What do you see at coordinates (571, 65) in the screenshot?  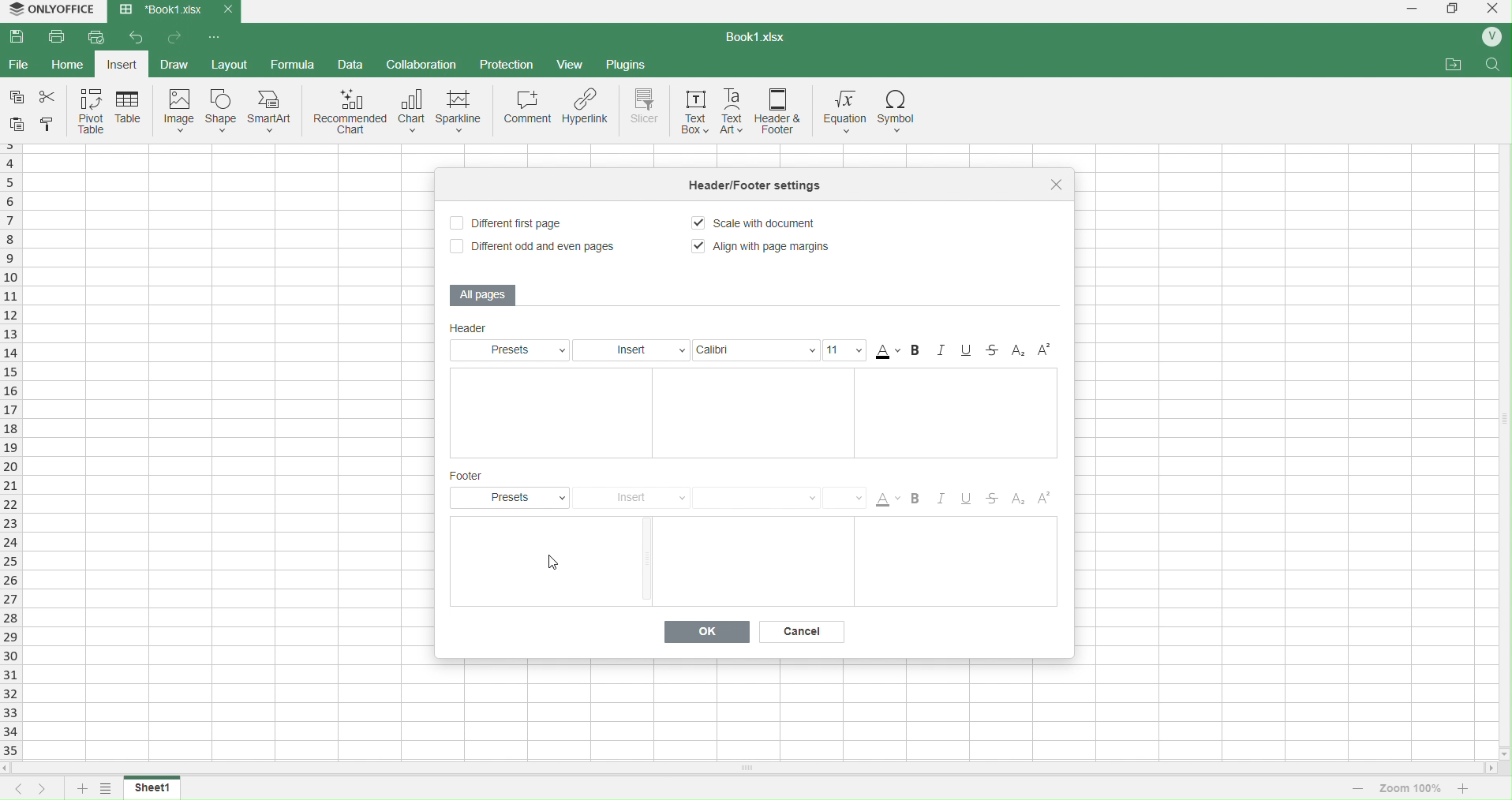 I see `view` at bounding box center [571, 65].